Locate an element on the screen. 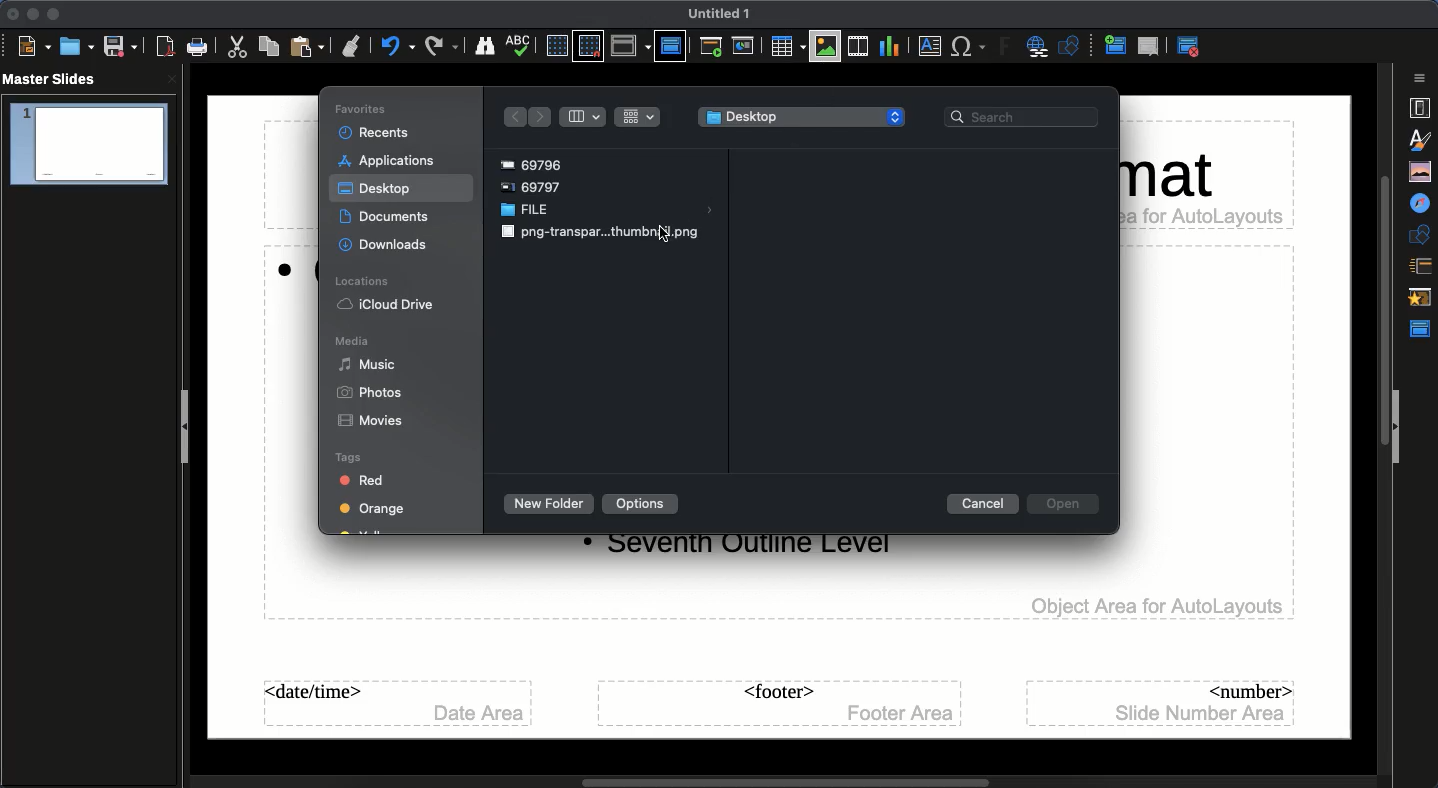  Photos is located at coordinates (374, 393).